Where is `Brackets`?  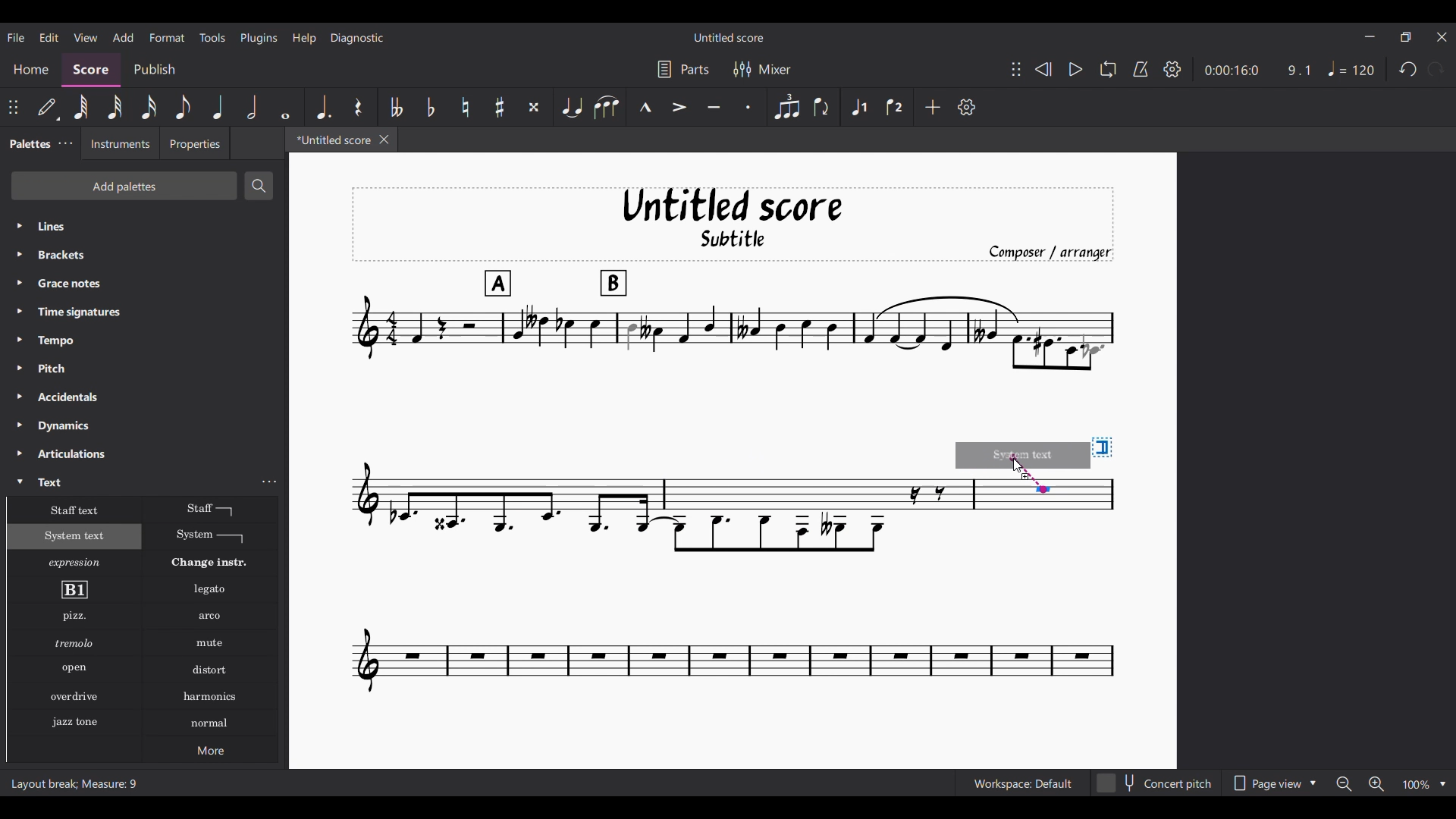
Brackets is located at coordinates (143, 255).